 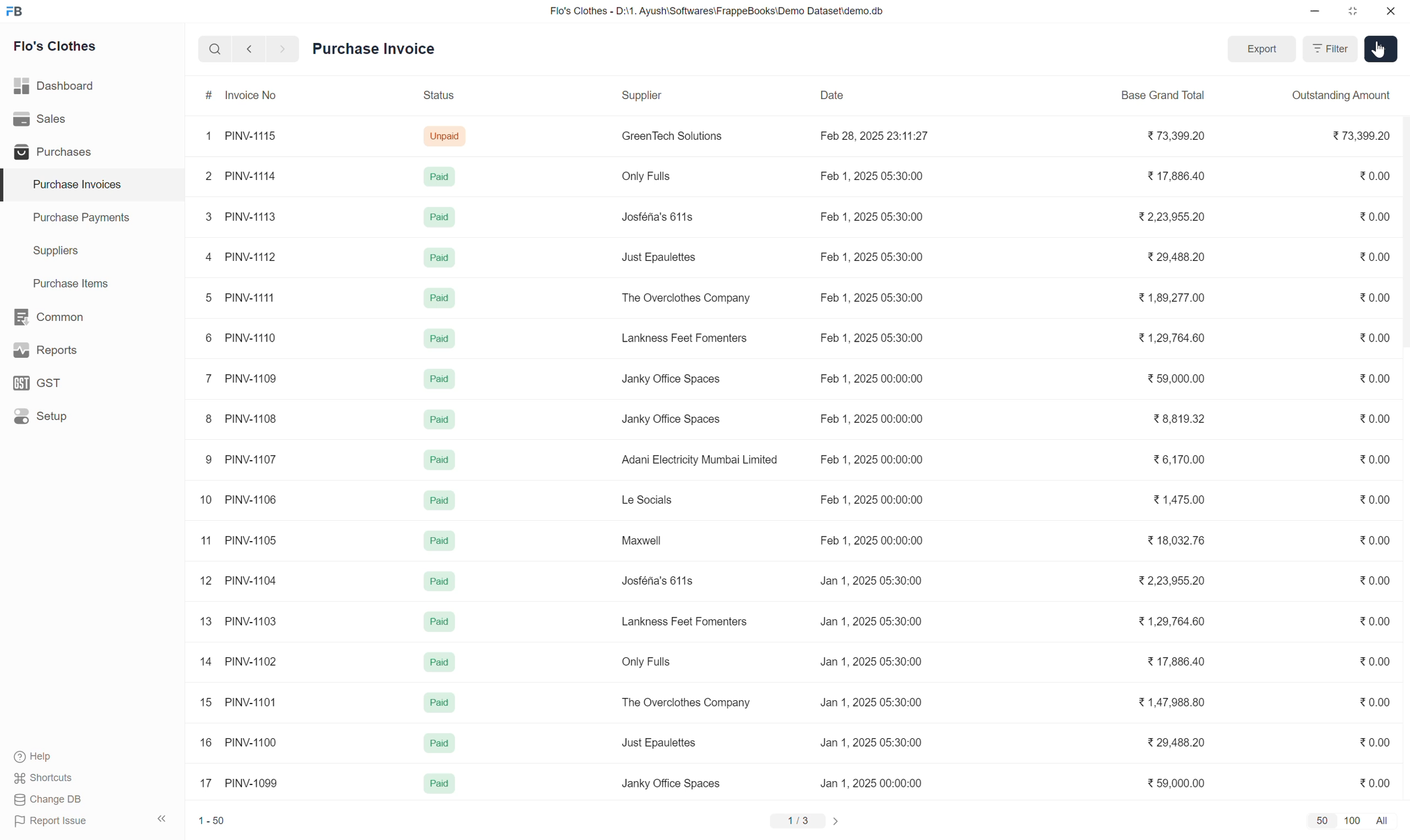 What do you see at coordinates (1185, 543) in the screenshot?
I see `18,032.76` at bounding box center [1185, 543].